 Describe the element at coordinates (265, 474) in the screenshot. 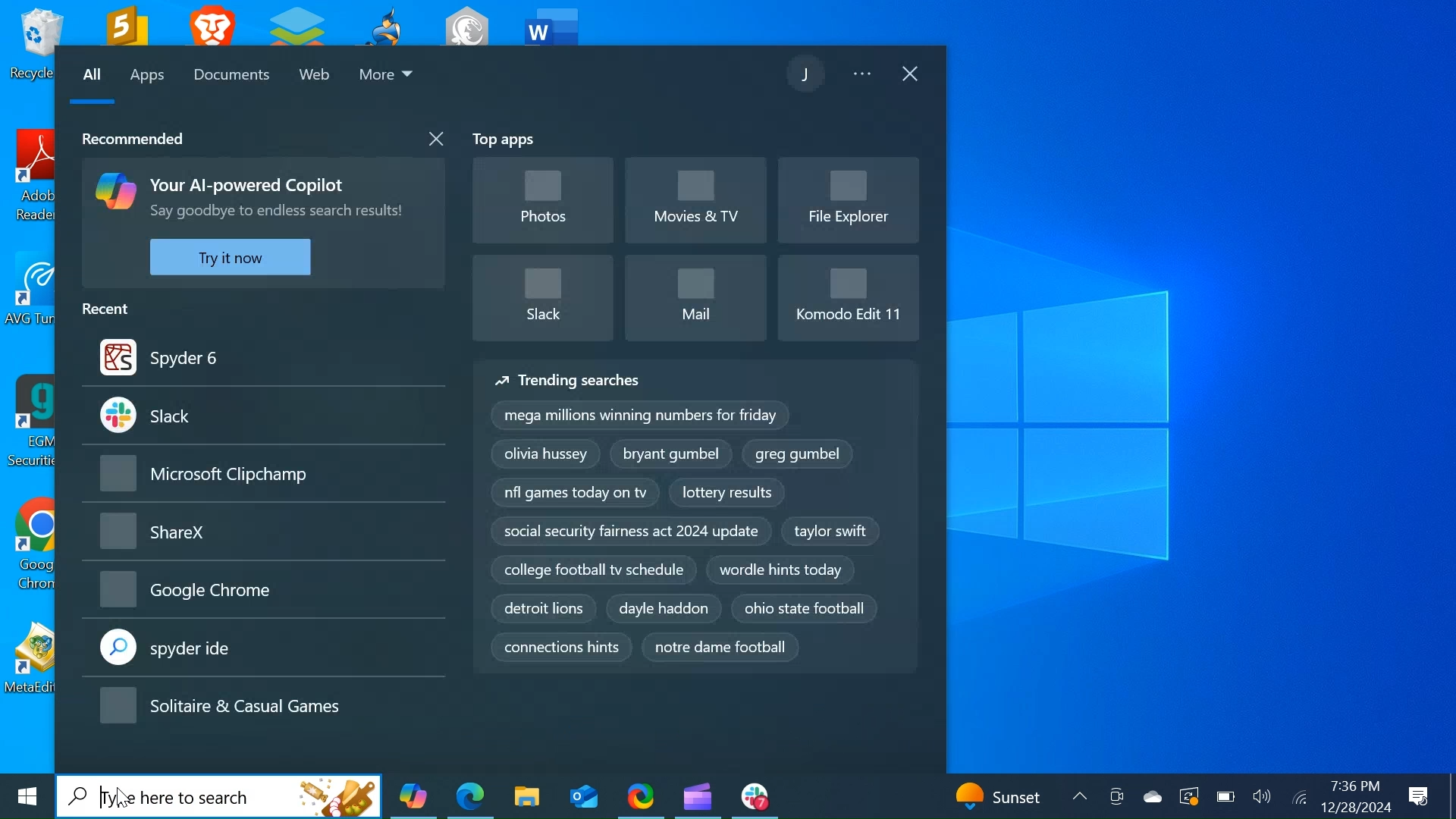

I see `` at that location.